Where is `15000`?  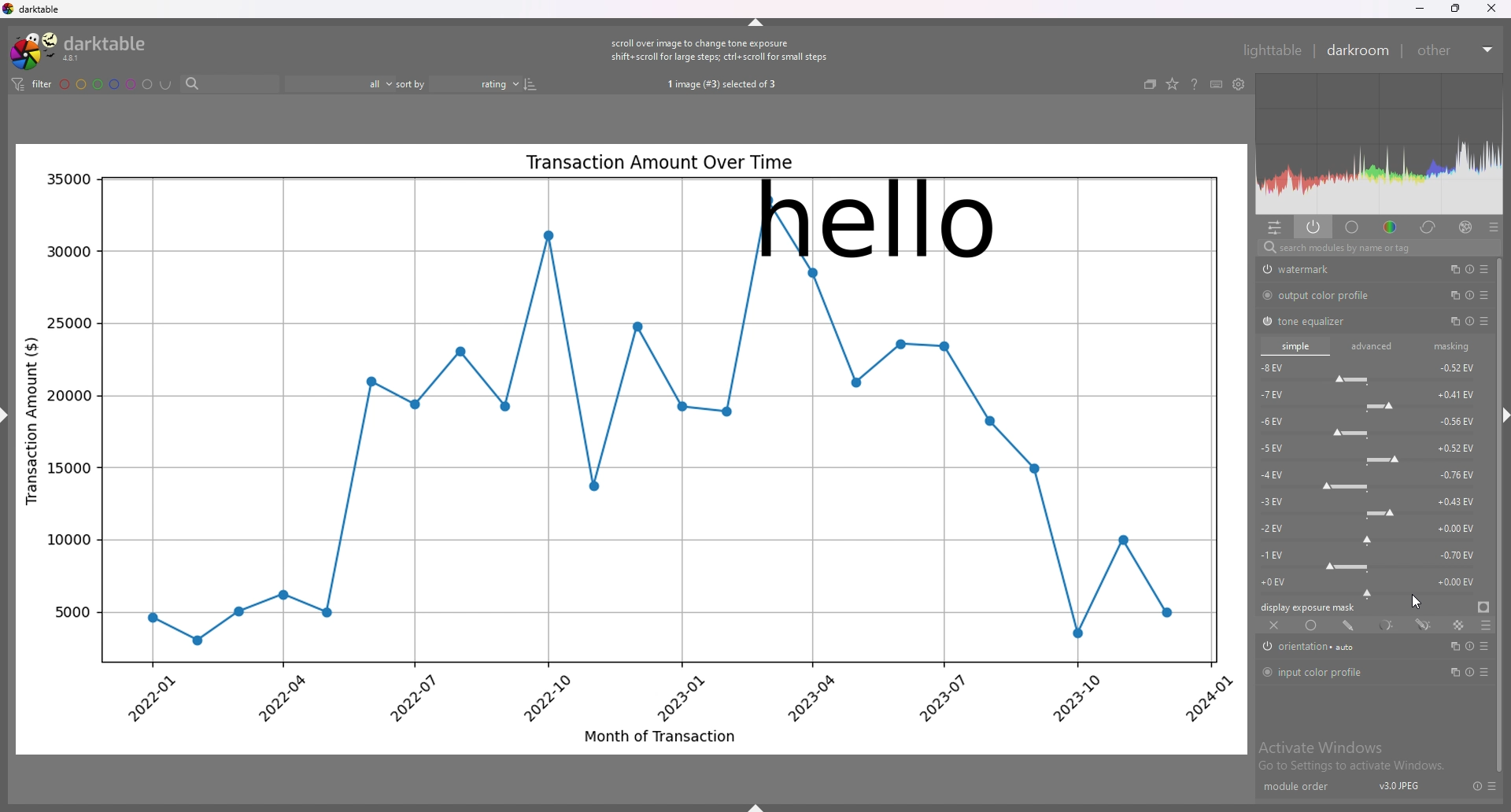 15000 is located at coordinates (68, 469).